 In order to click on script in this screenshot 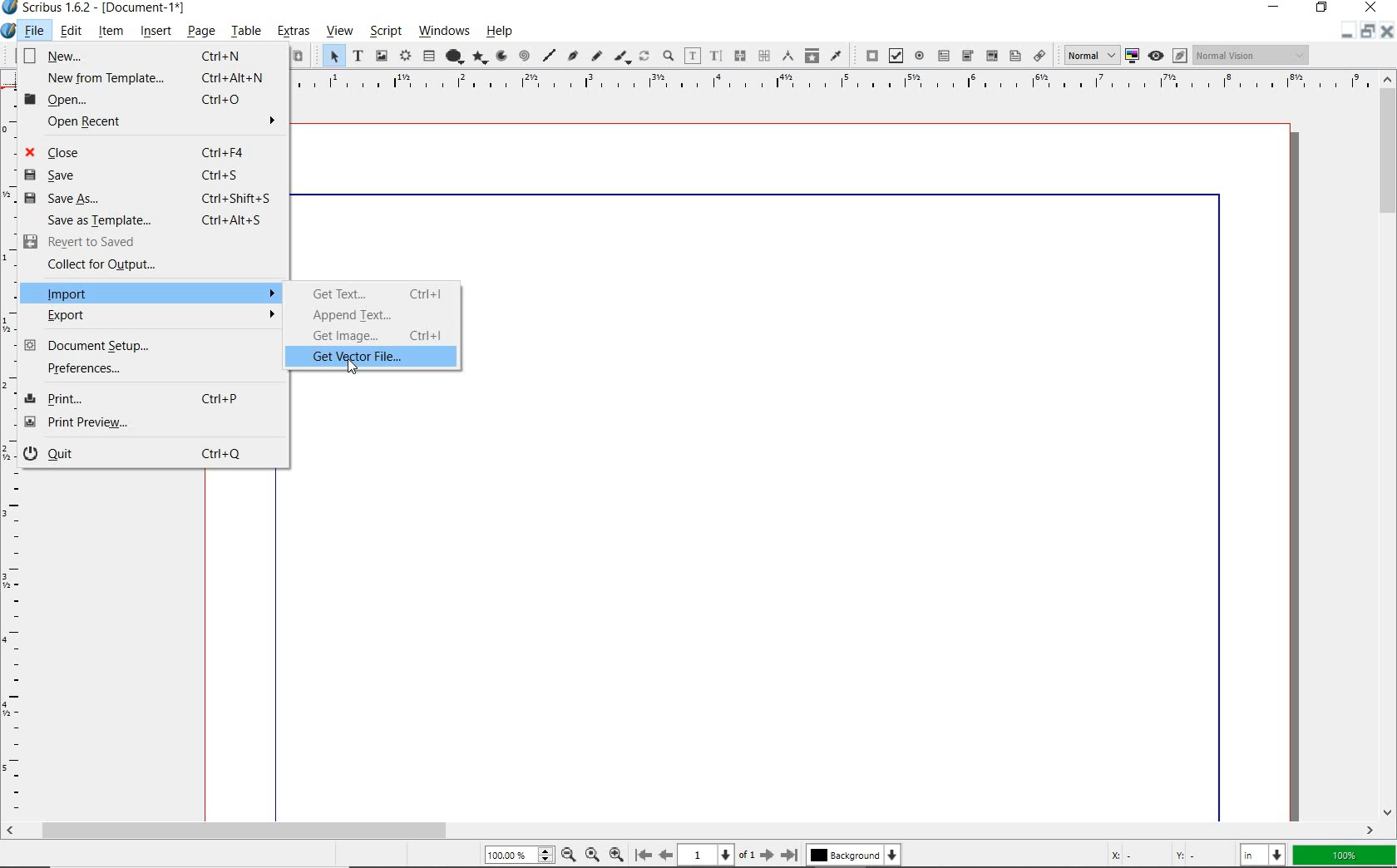, I will do `click(385, 32)`.